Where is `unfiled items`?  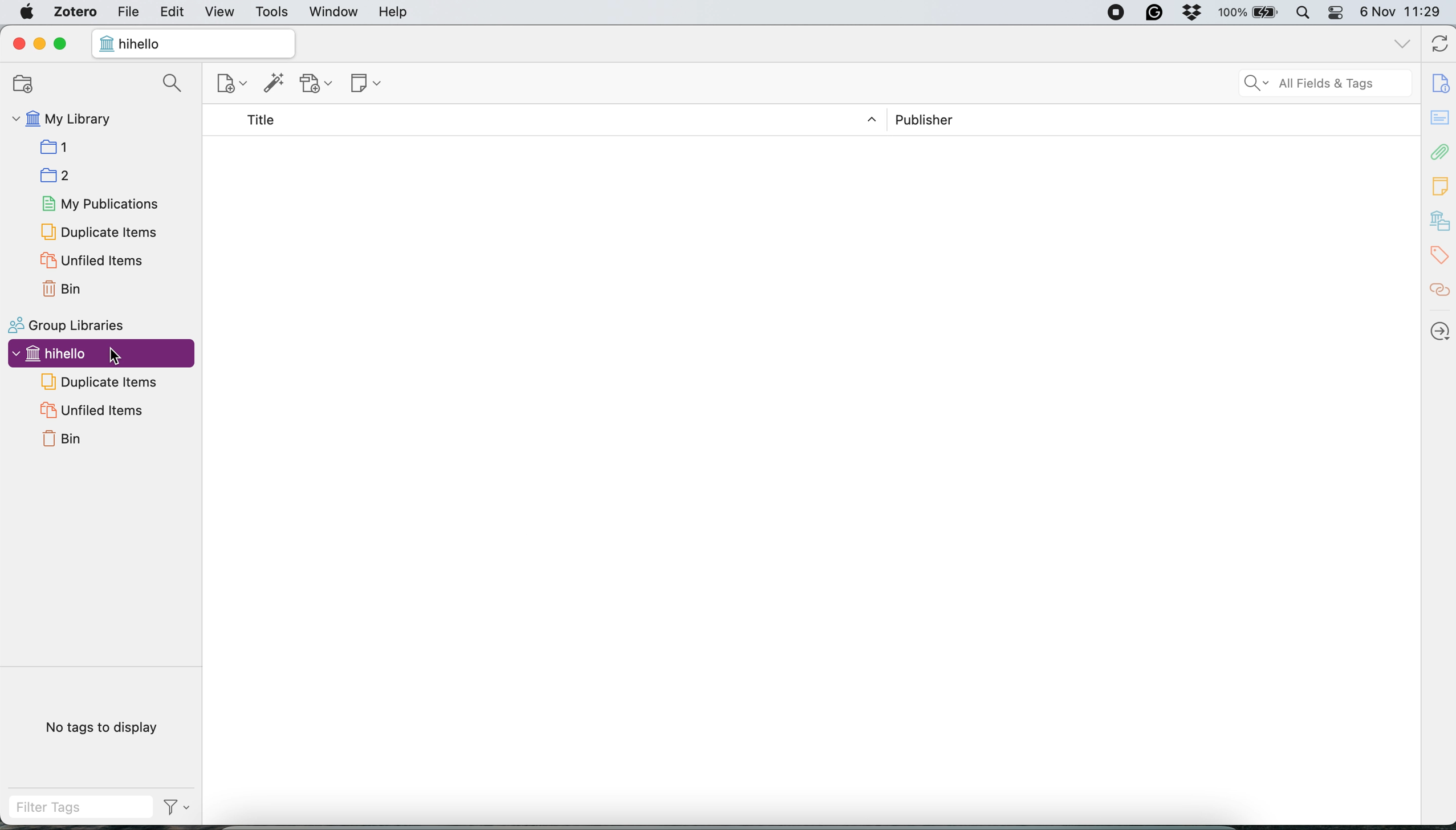 unfiled items is located at coordinates (93, 262).